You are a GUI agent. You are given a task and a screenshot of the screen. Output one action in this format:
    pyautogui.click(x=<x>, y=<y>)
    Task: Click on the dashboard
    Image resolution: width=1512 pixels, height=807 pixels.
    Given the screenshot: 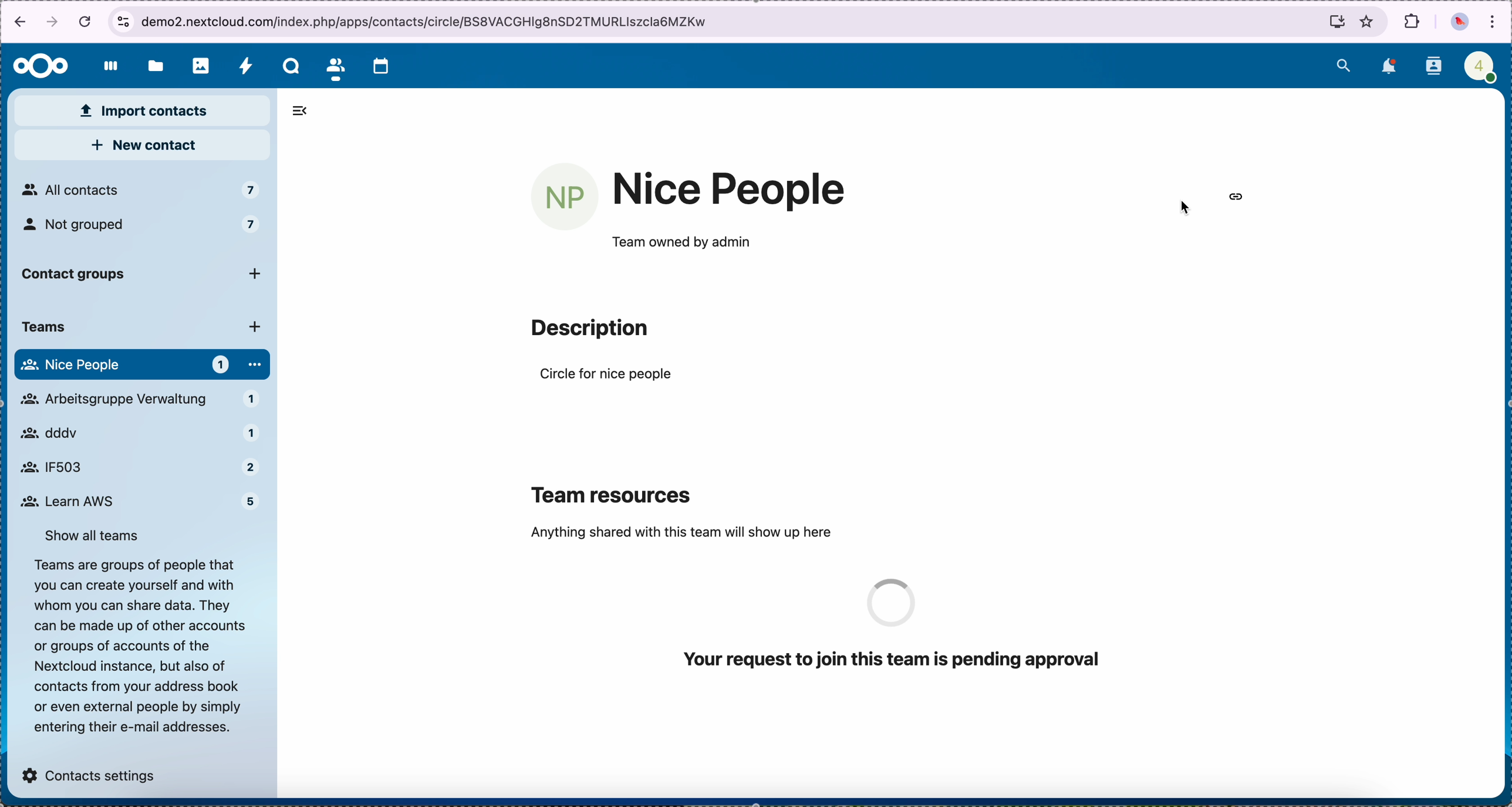 What is the action you would take?
    pyautogui.click(x=107, y=68)
    